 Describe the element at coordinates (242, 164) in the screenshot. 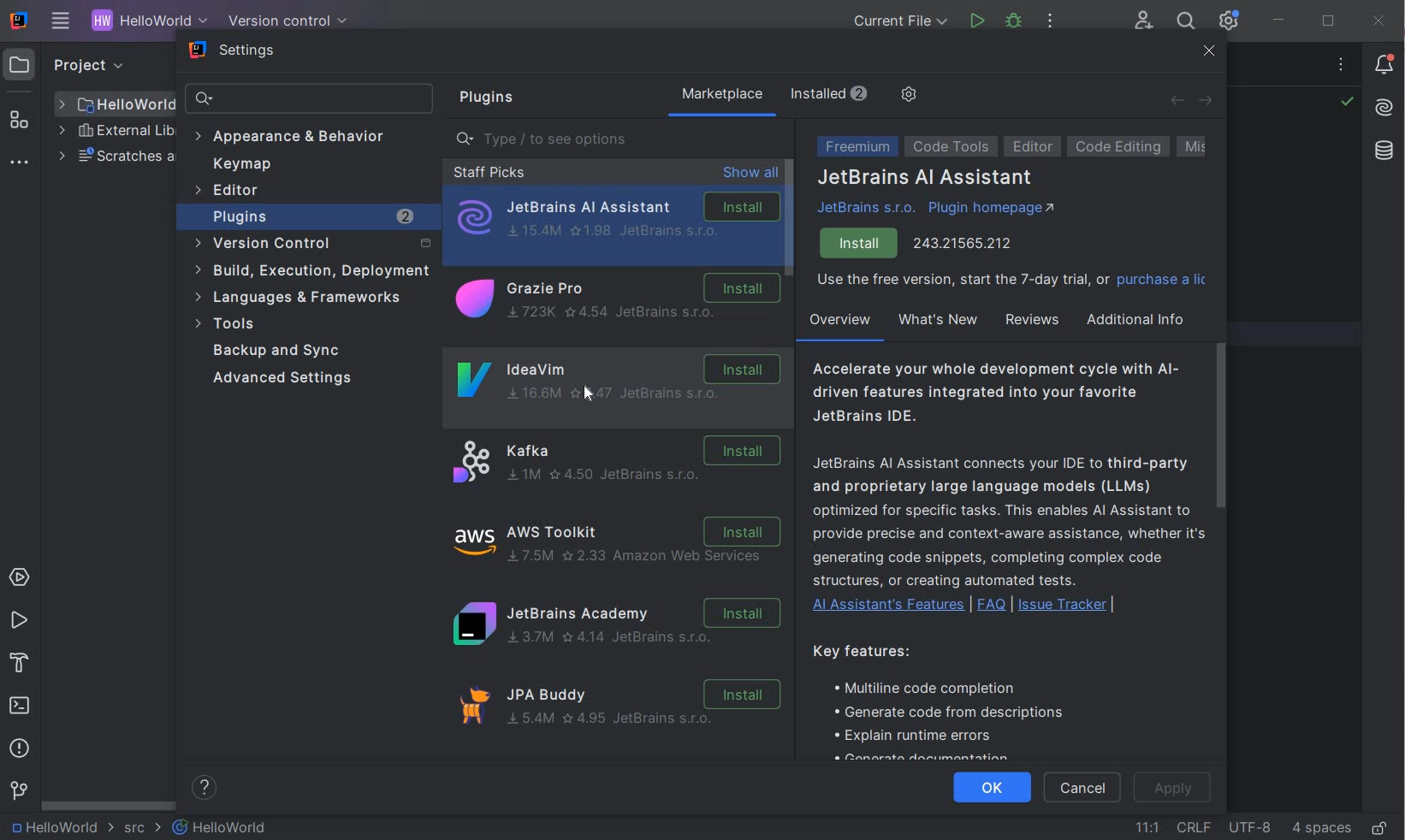

I see `keymap` at that location.